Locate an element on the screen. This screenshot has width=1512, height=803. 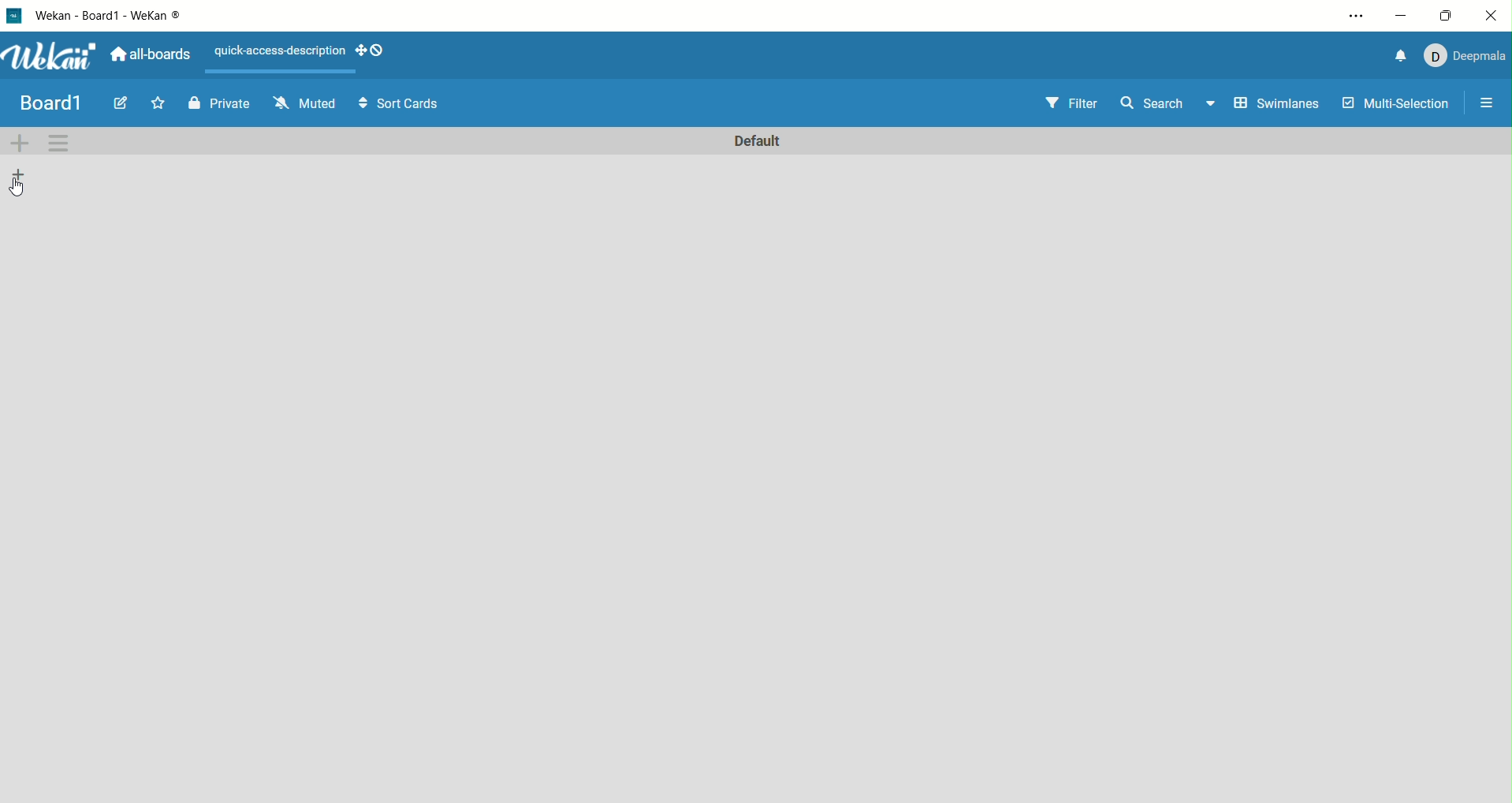
add swimlane is located at coordinates (20, 142).